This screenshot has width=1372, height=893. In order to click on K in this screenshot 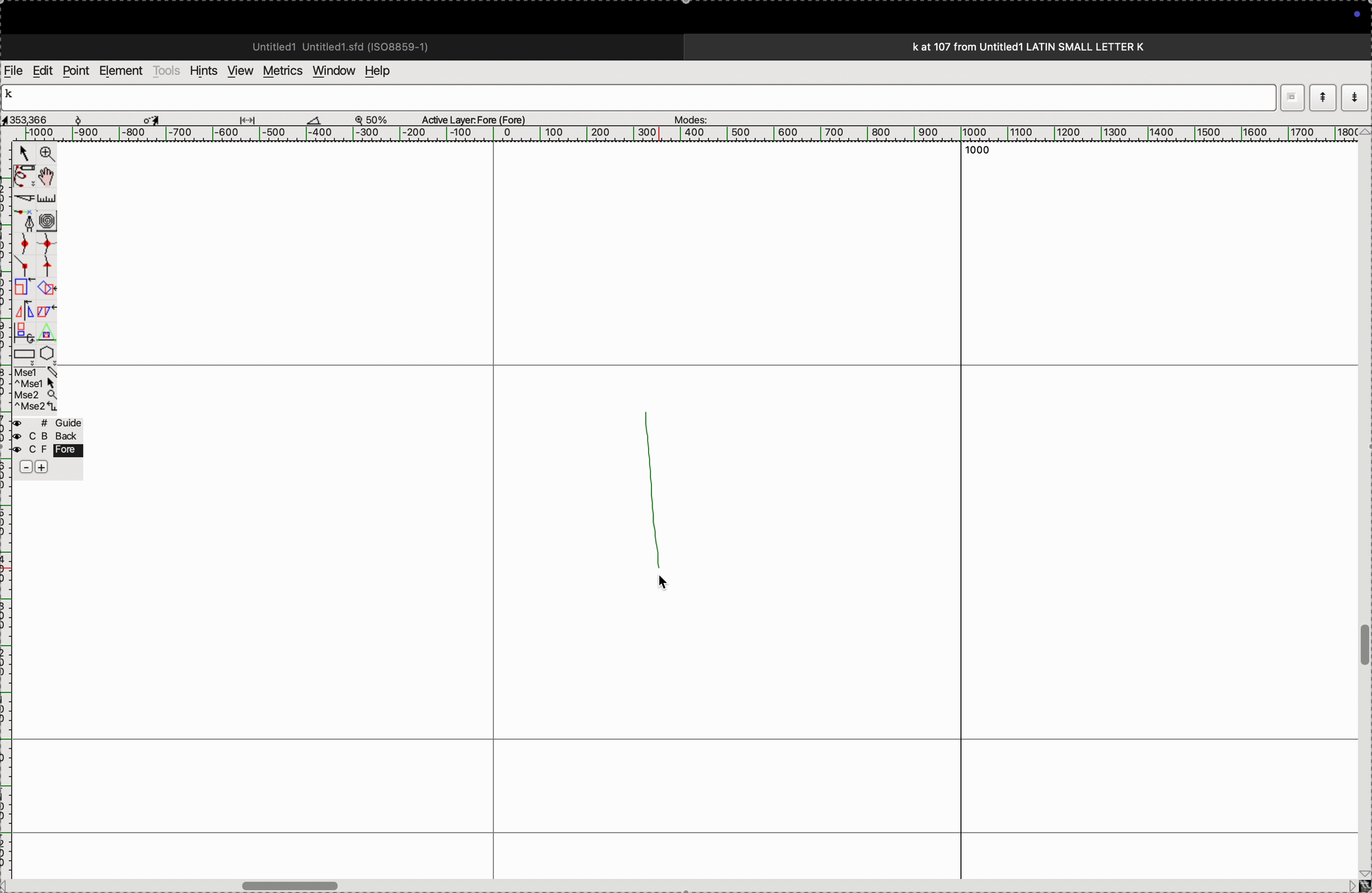, I will do `click(14, 96)`.